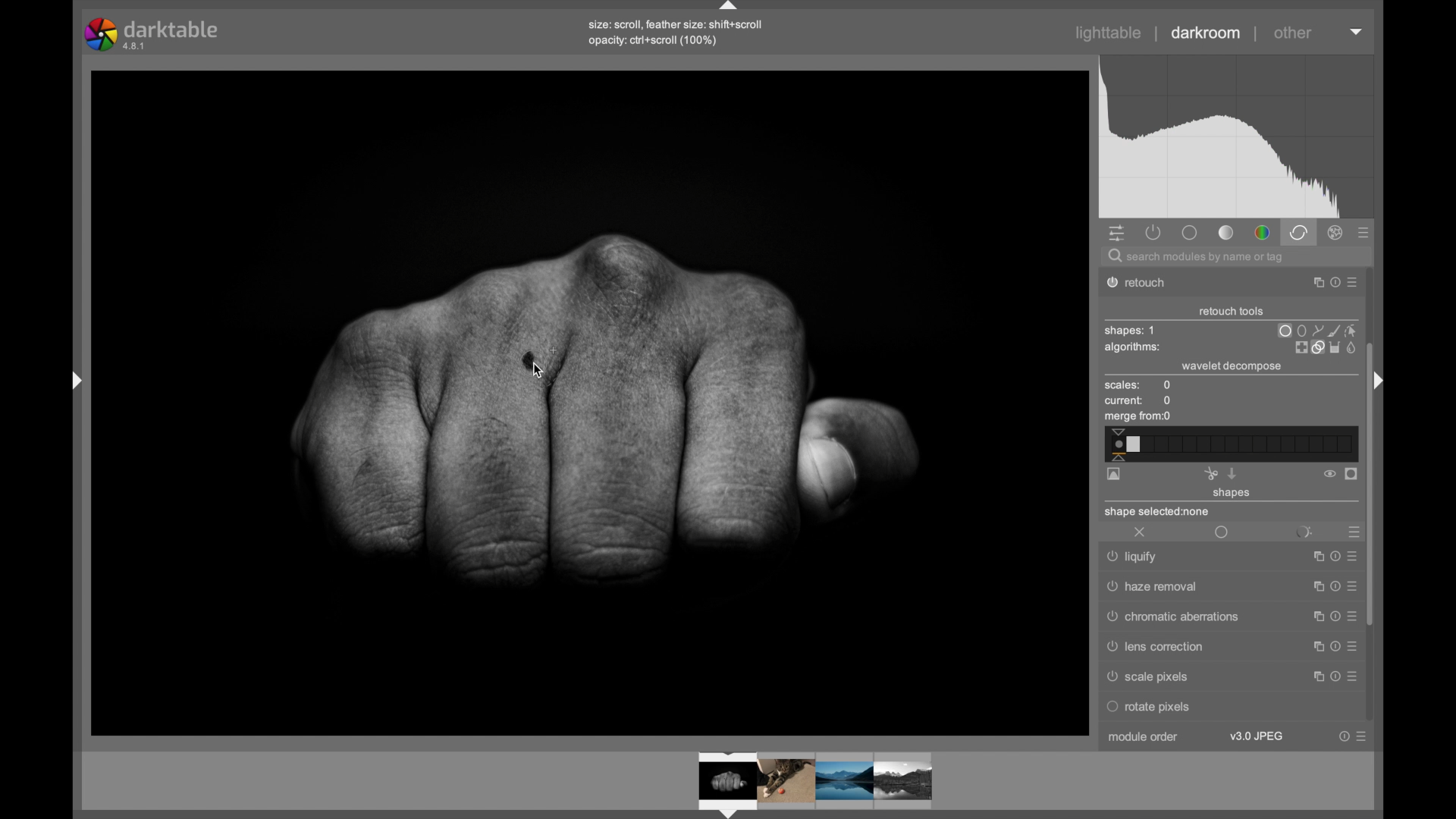 The height and width of the screenshot is (819, 1456). What do you see at coordinates (1332, 617) in the screenshot?
I see `help` at bounding box center [1332, 617].